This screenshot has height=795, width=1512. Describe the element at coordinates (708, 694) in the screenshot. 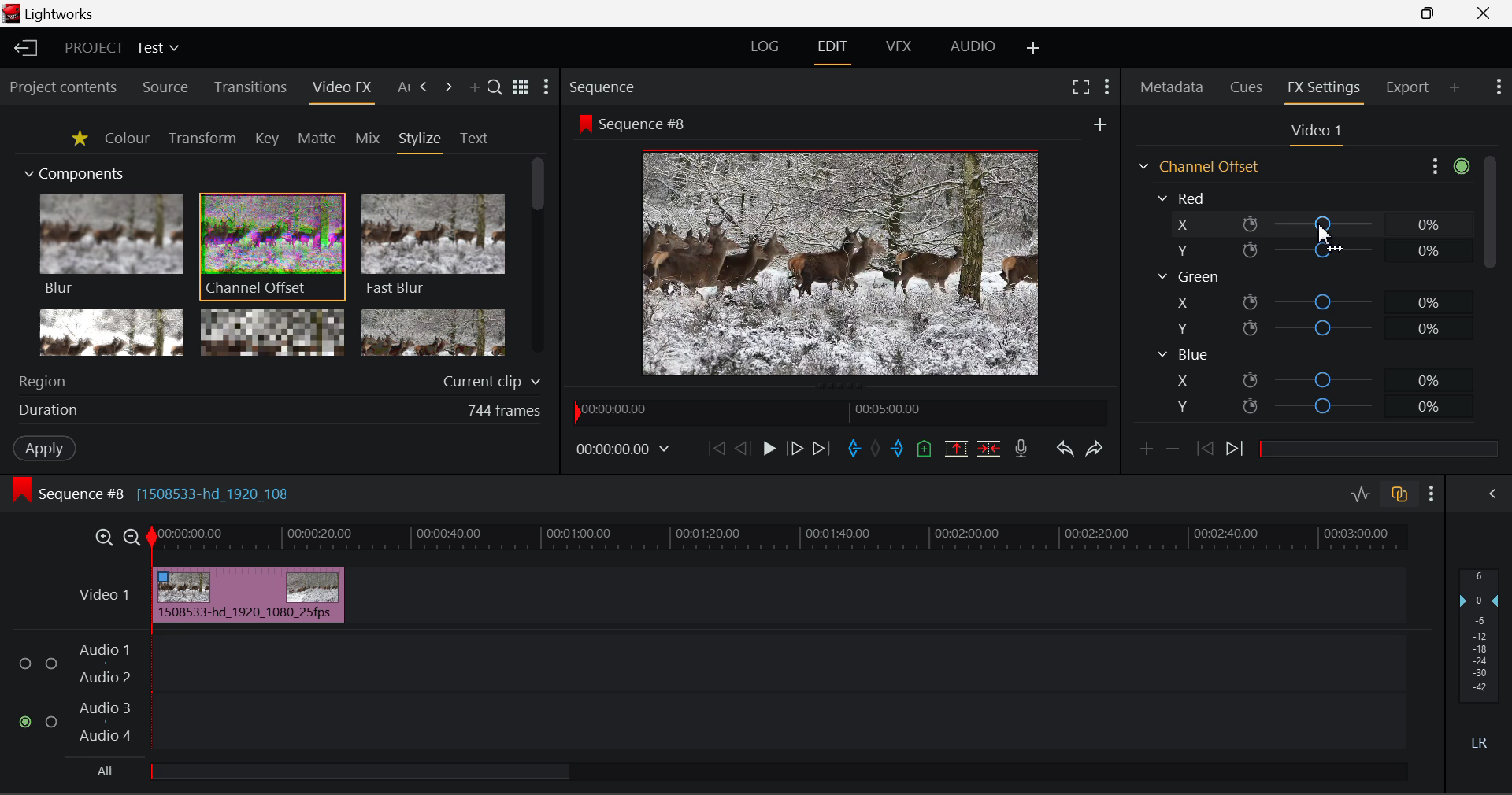

I see `Audio Input Field` at that location.